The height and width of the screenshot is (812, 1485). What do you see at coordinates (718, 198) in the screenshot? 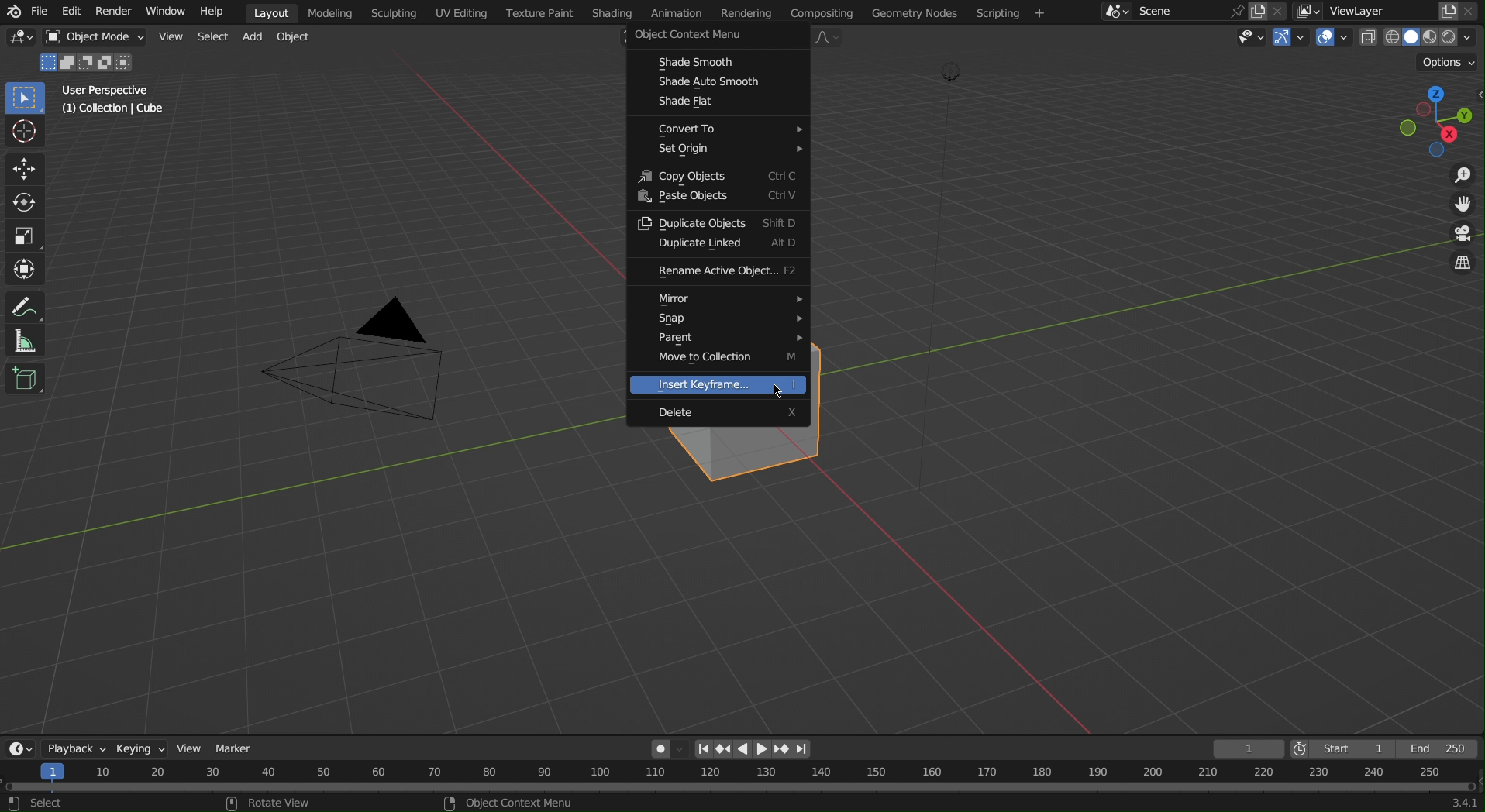
I see `Paste Objects` at bounding box center [718, 198].